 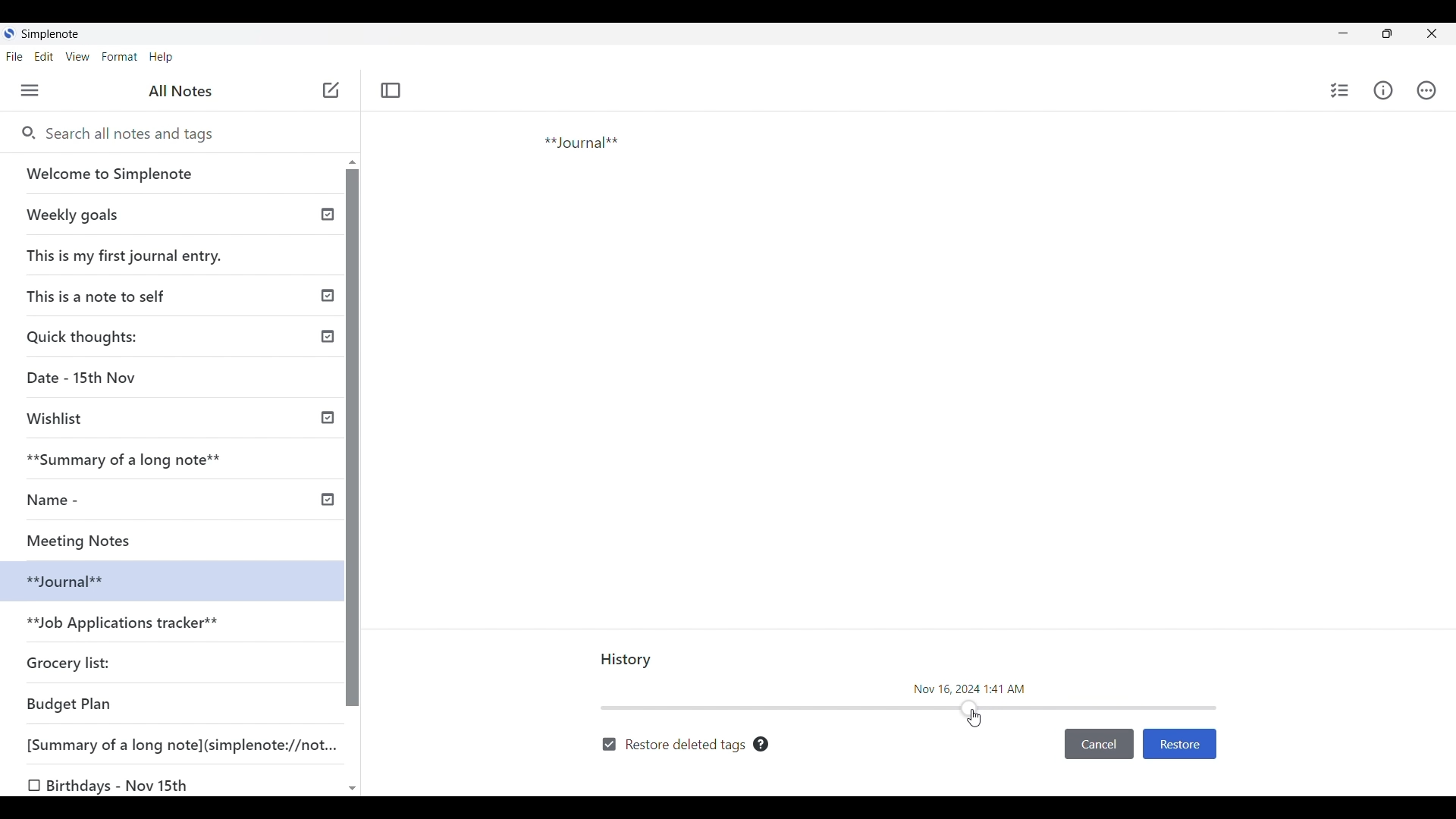 What do you see at coordinates (353, 162) in the screenshot?
I see `Quick slide to top` at bounding box center [353, 162].